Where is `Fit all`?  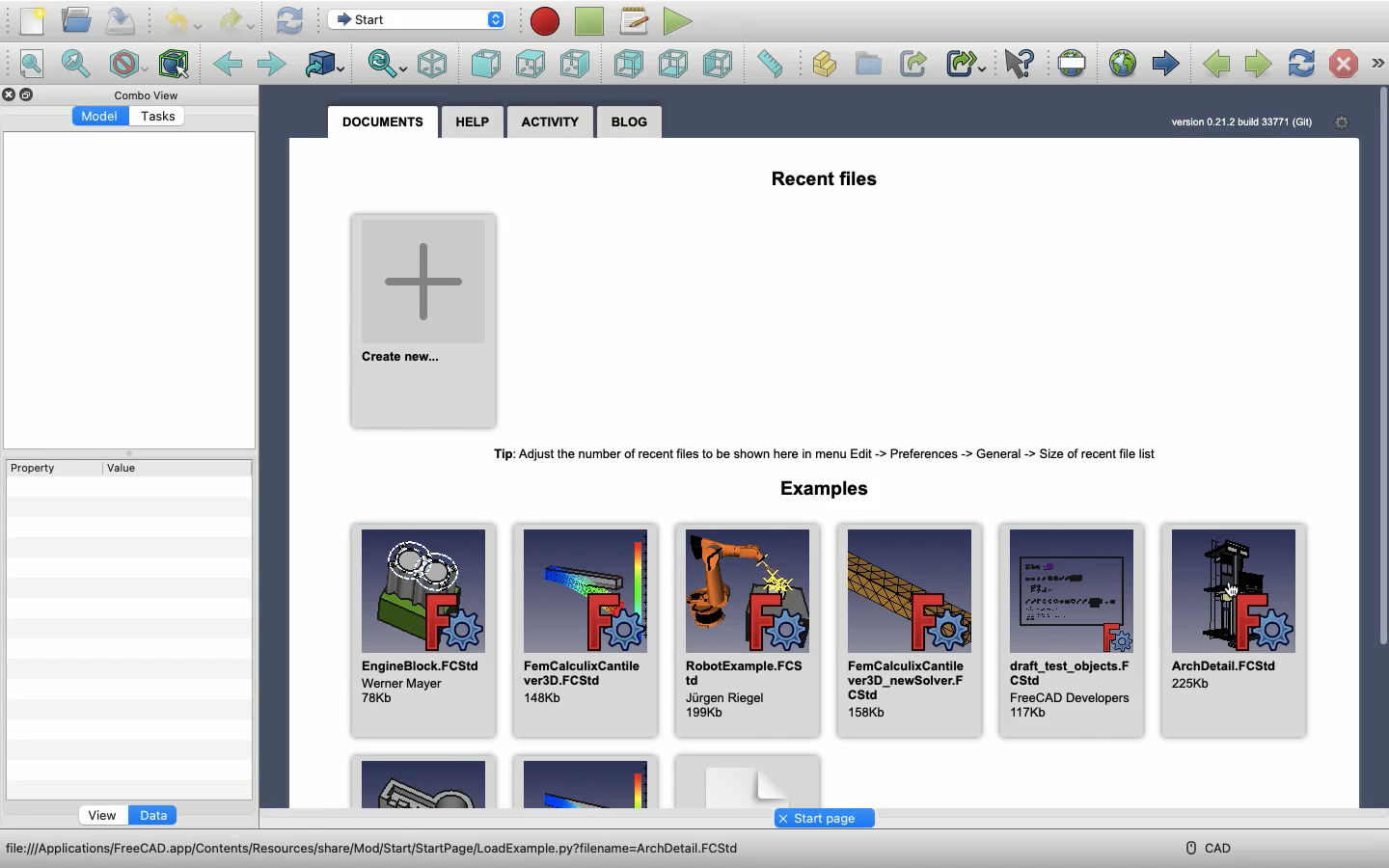
Fit all is located at coordinates (35, 64).